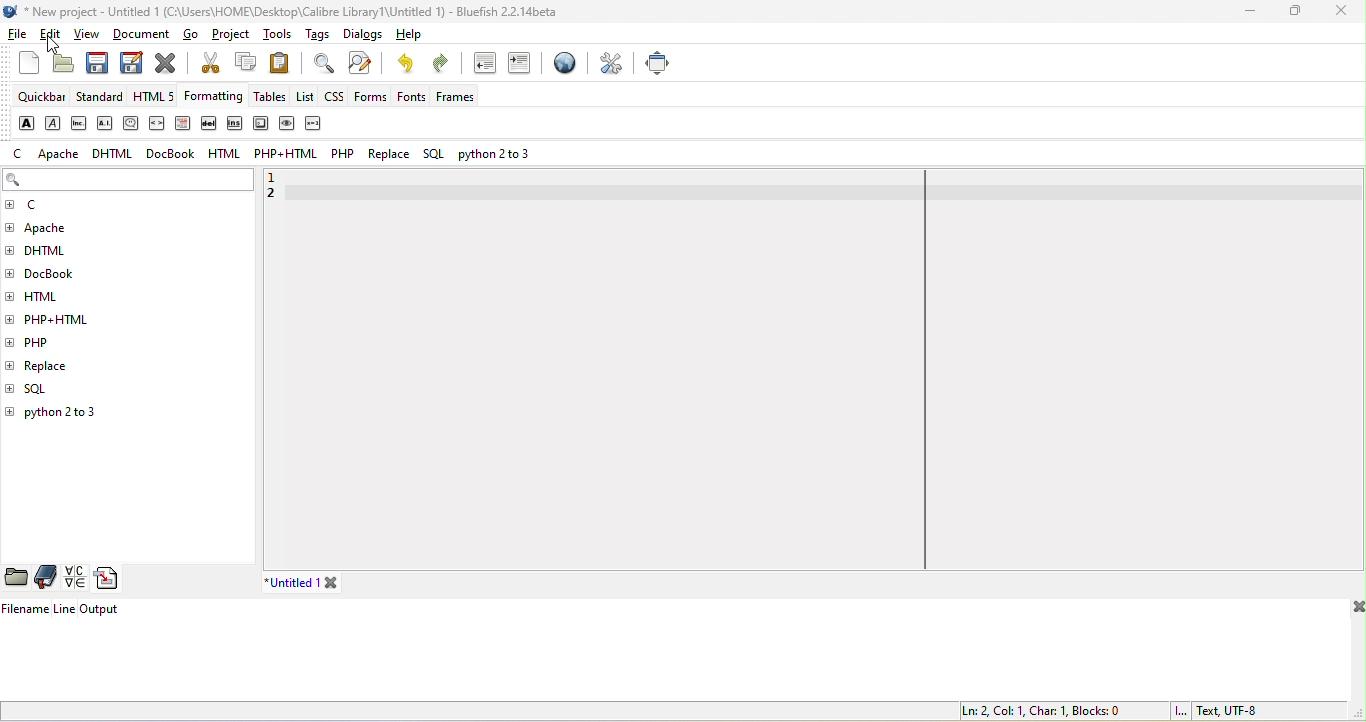 The image size is (1366, 722). Describe the element at coordinates (65, 318) in the screenshot. I see `php+html` at that location.